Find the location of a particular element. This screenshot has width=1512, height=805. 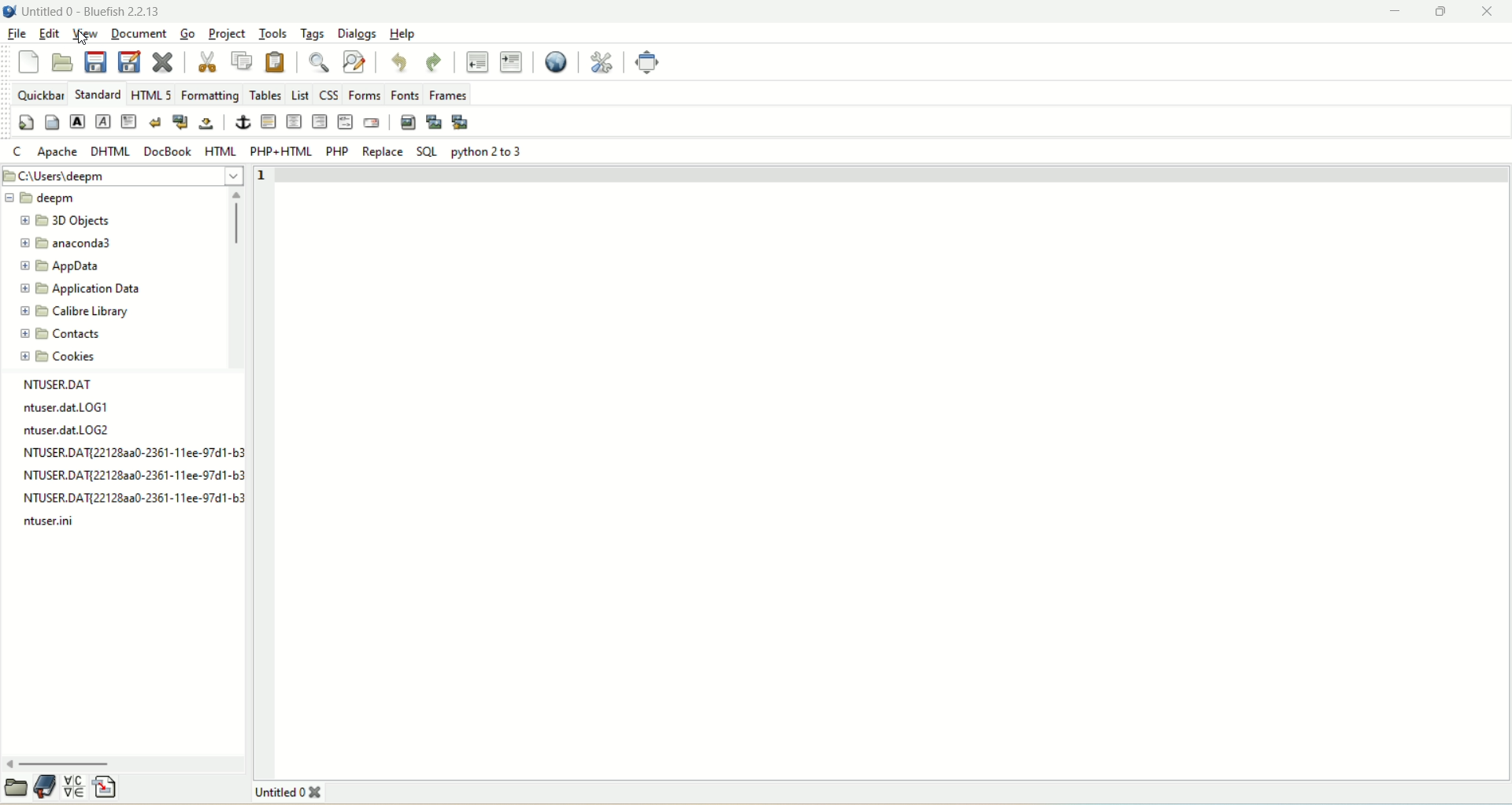

apache is located at coordinates (59, 153).